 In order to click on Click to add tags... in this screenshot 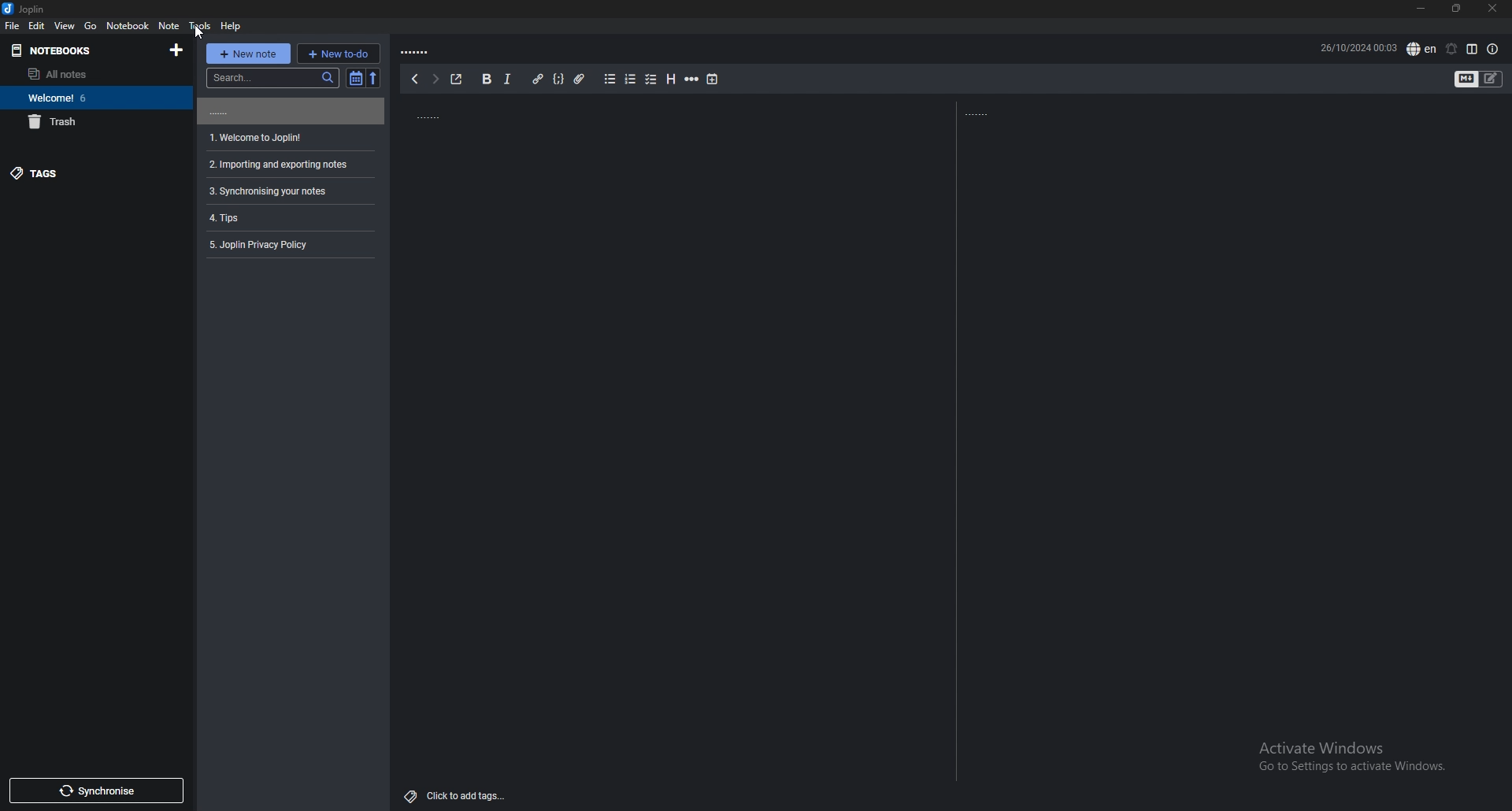, I will do `click(457, 791)`.